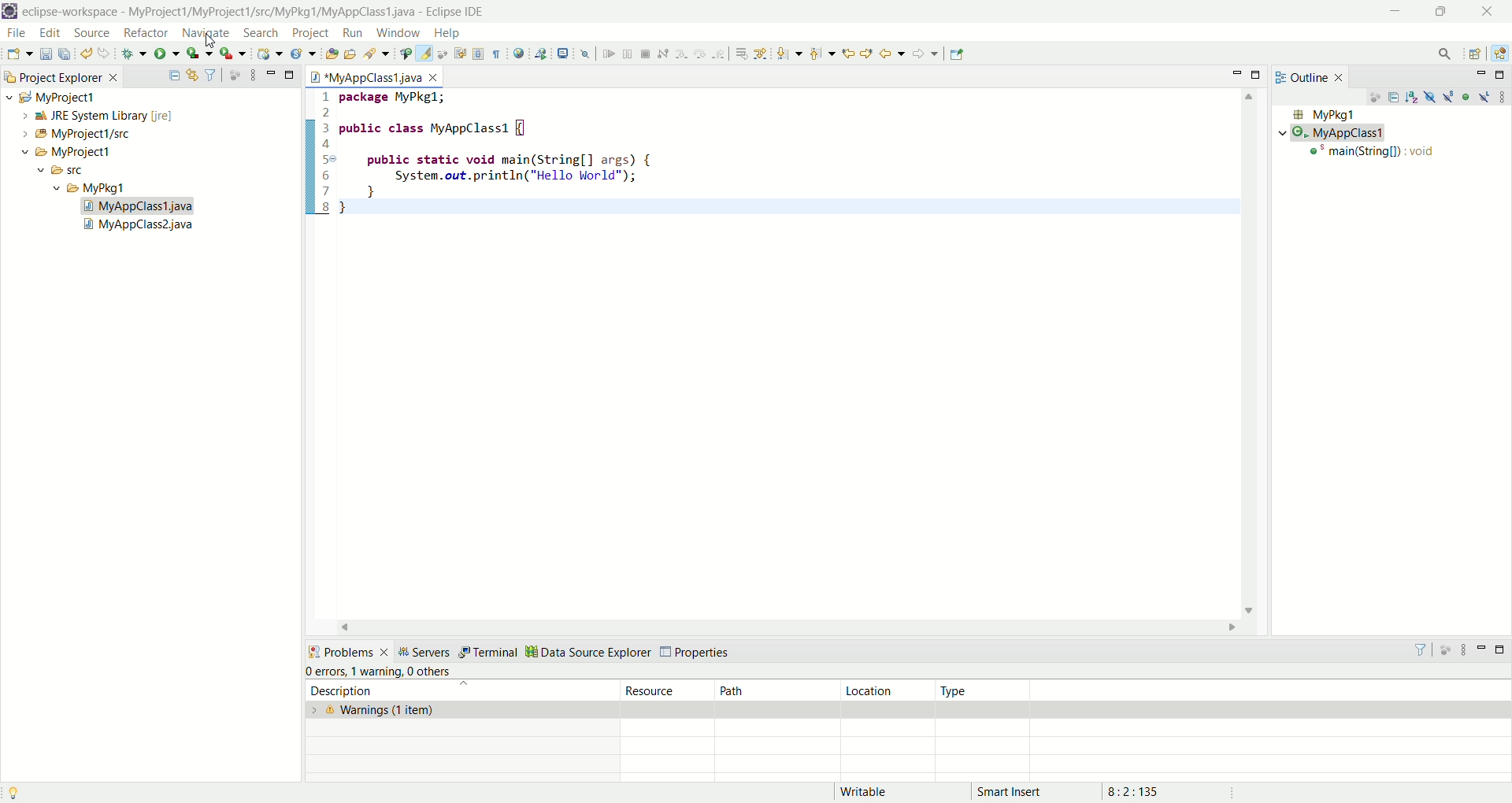 The image size is (1512, 803). I want to click on show whitespace character, so click(497, 55).